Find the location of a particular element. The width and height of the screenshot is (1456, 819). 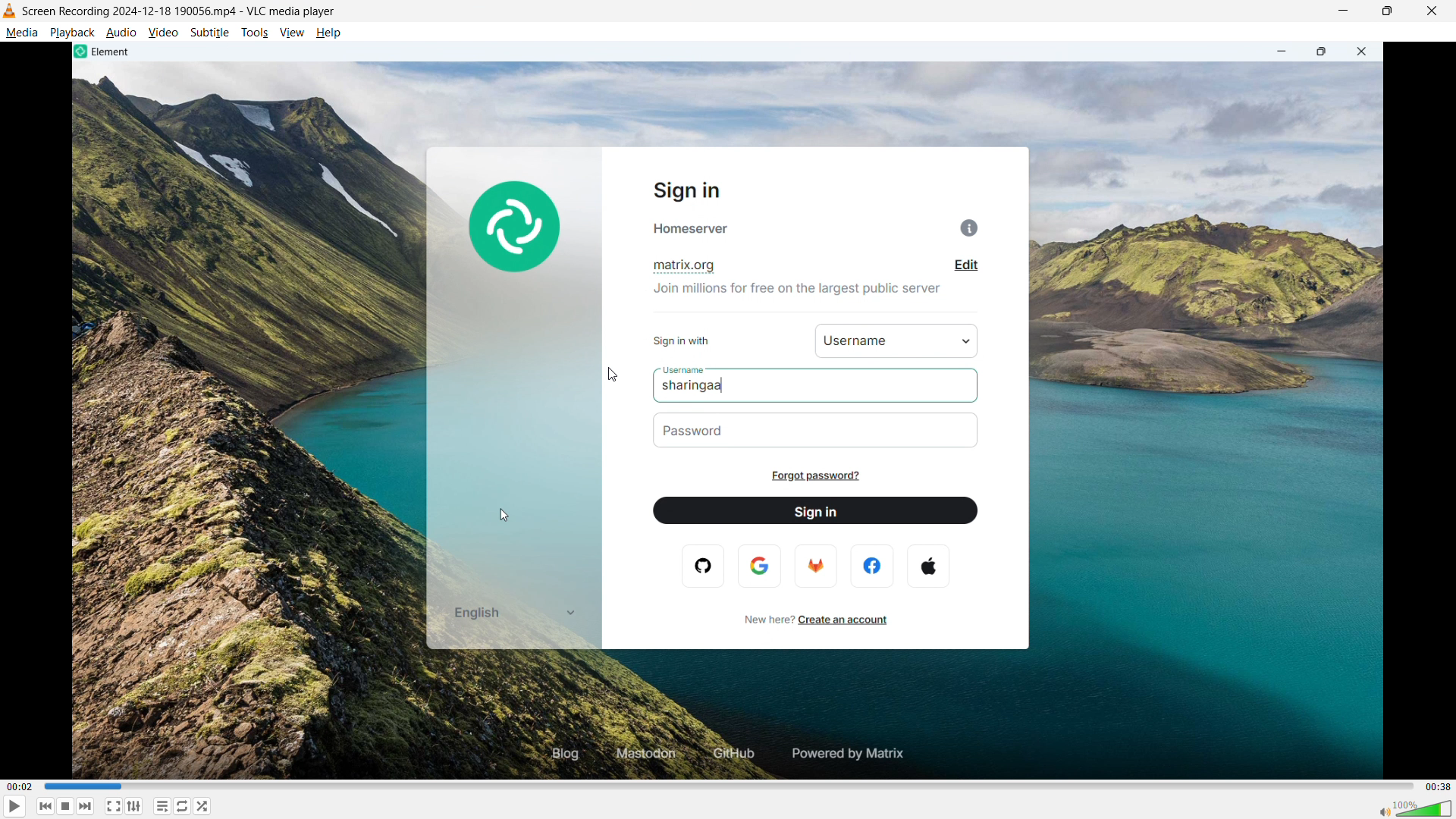

help  is located at coordinates (329, 33).